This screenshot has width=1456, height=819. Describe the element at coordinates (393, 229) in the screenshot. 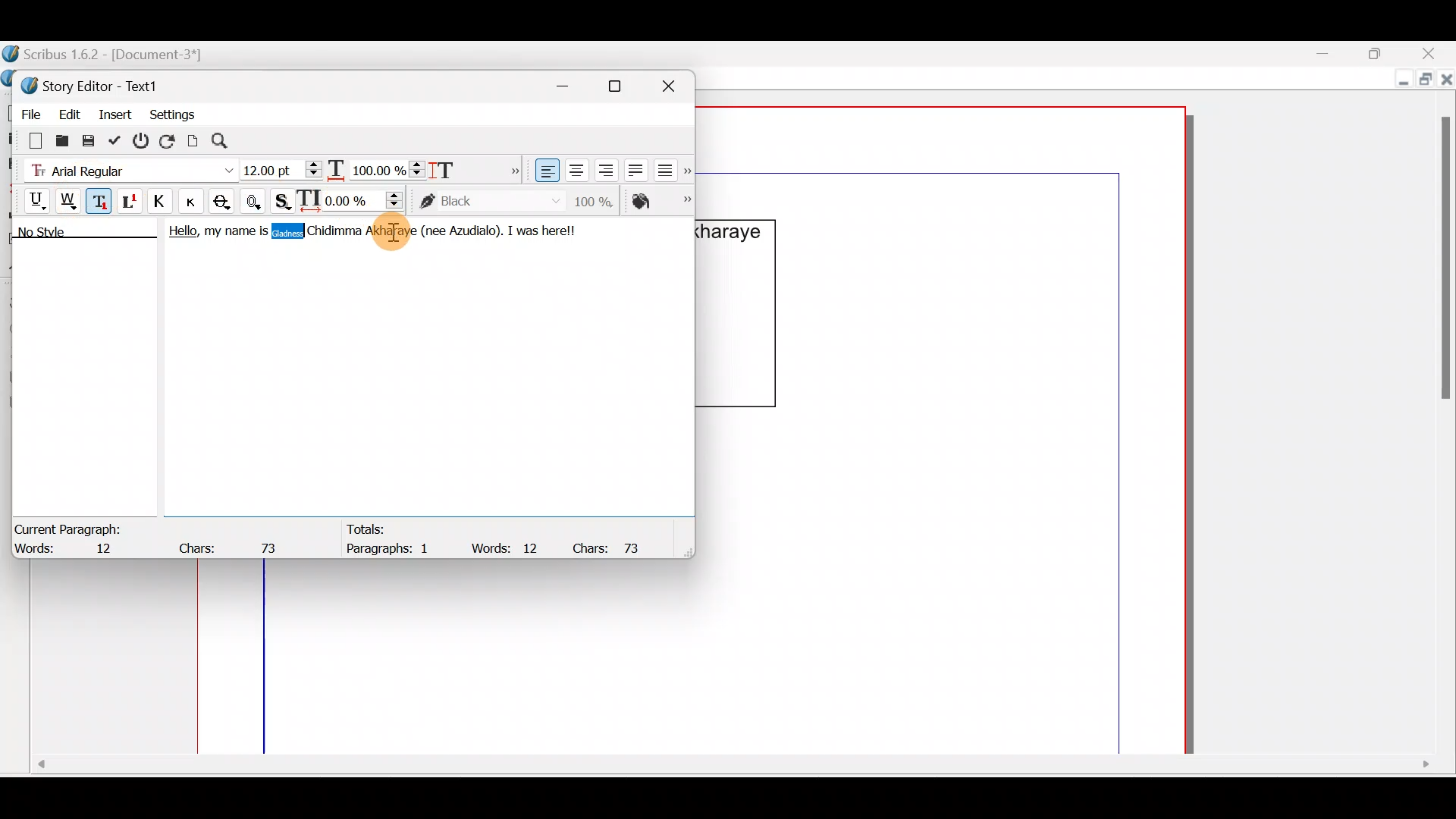

I see `Akharaye` at that location.